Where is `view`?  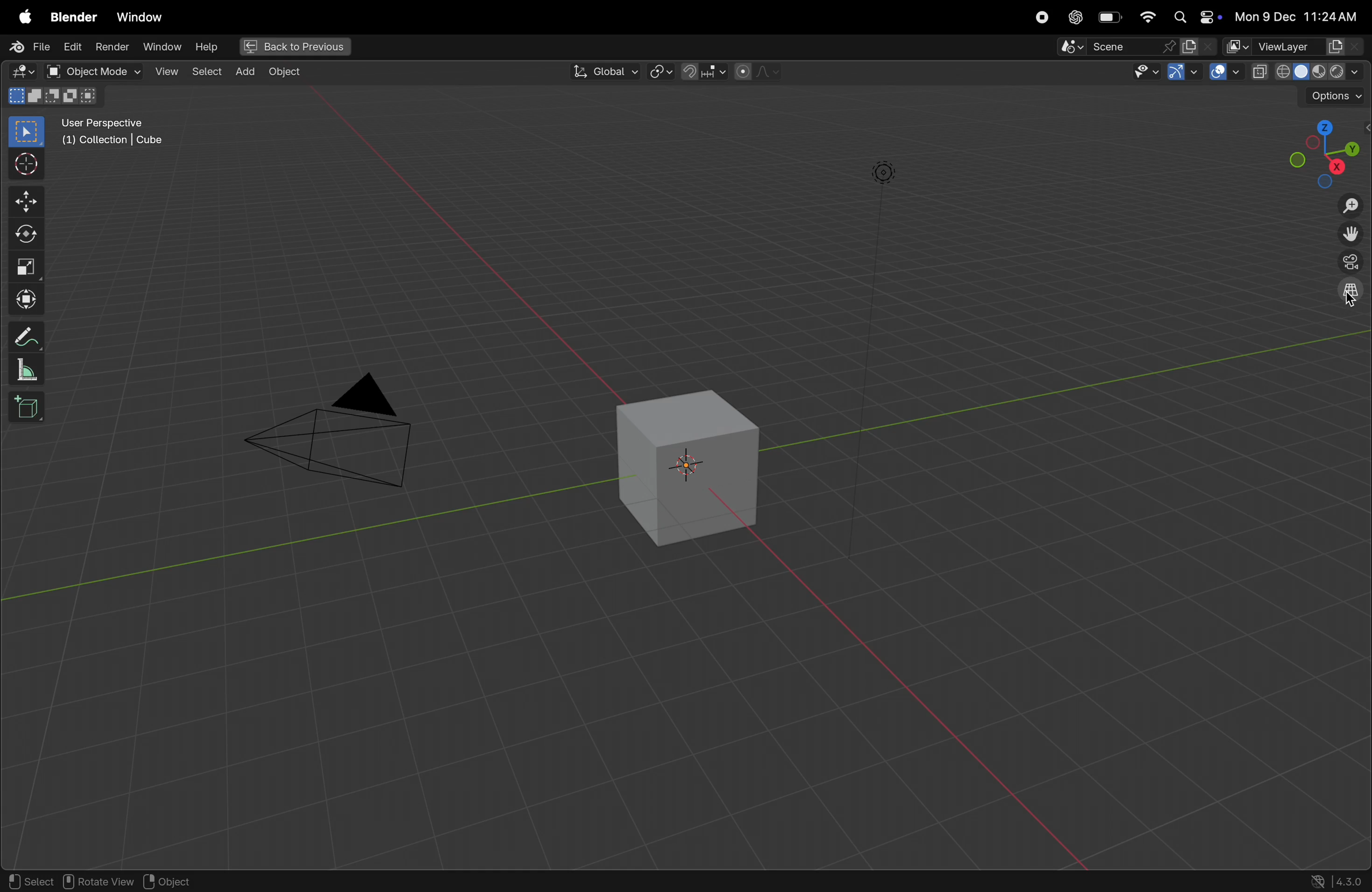
view is located at coordinates (163, 70).